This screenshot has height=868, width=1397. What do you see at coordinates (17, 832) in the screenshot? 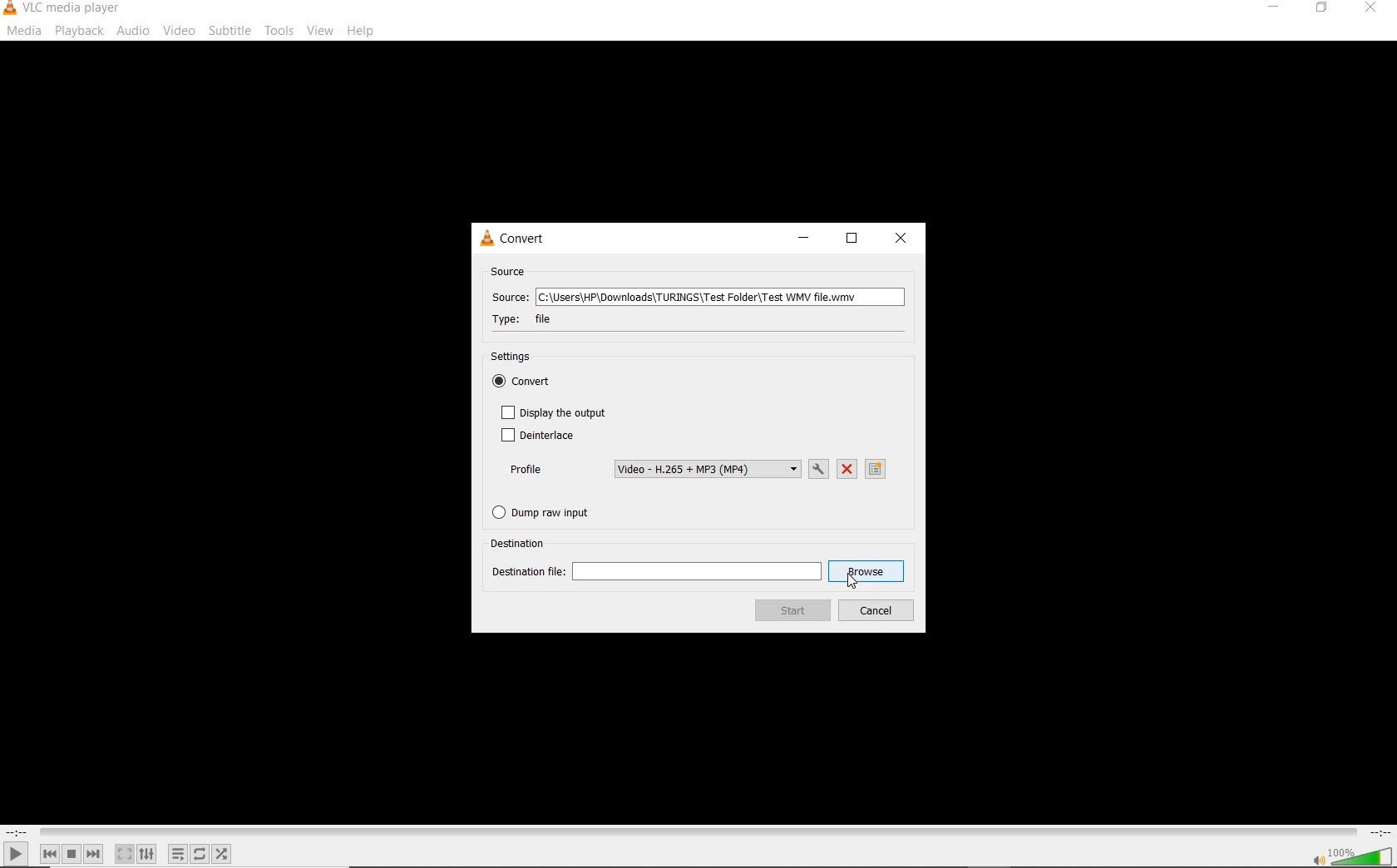
I see `elapsed time` at bounding box center [17, 832].